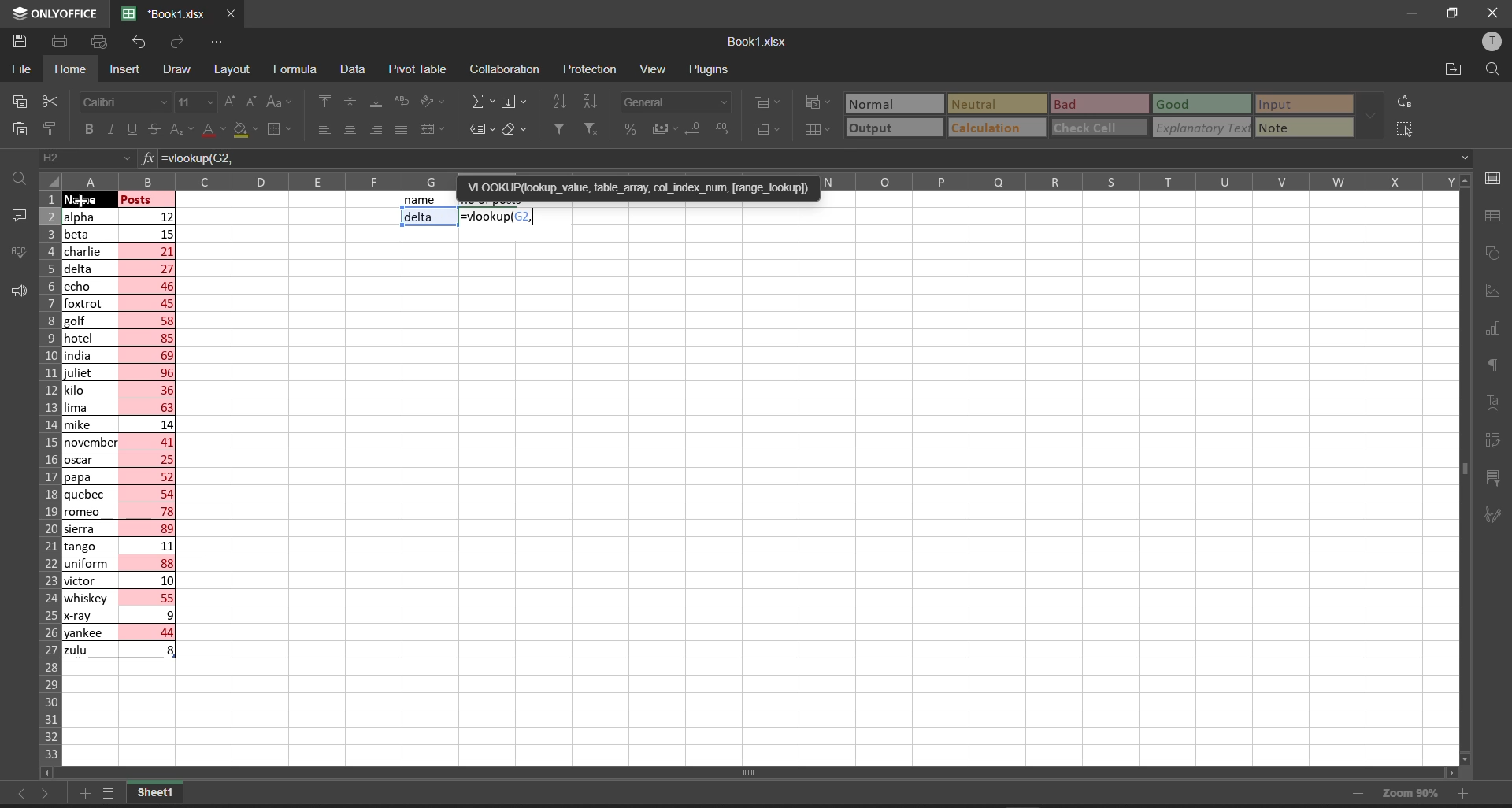 The height and width of the screenshot is (808, 1512). What do you see at coordinates (1498, 513) in the screenshot?
I see `signature settings` at bounding box center [1498, 513].